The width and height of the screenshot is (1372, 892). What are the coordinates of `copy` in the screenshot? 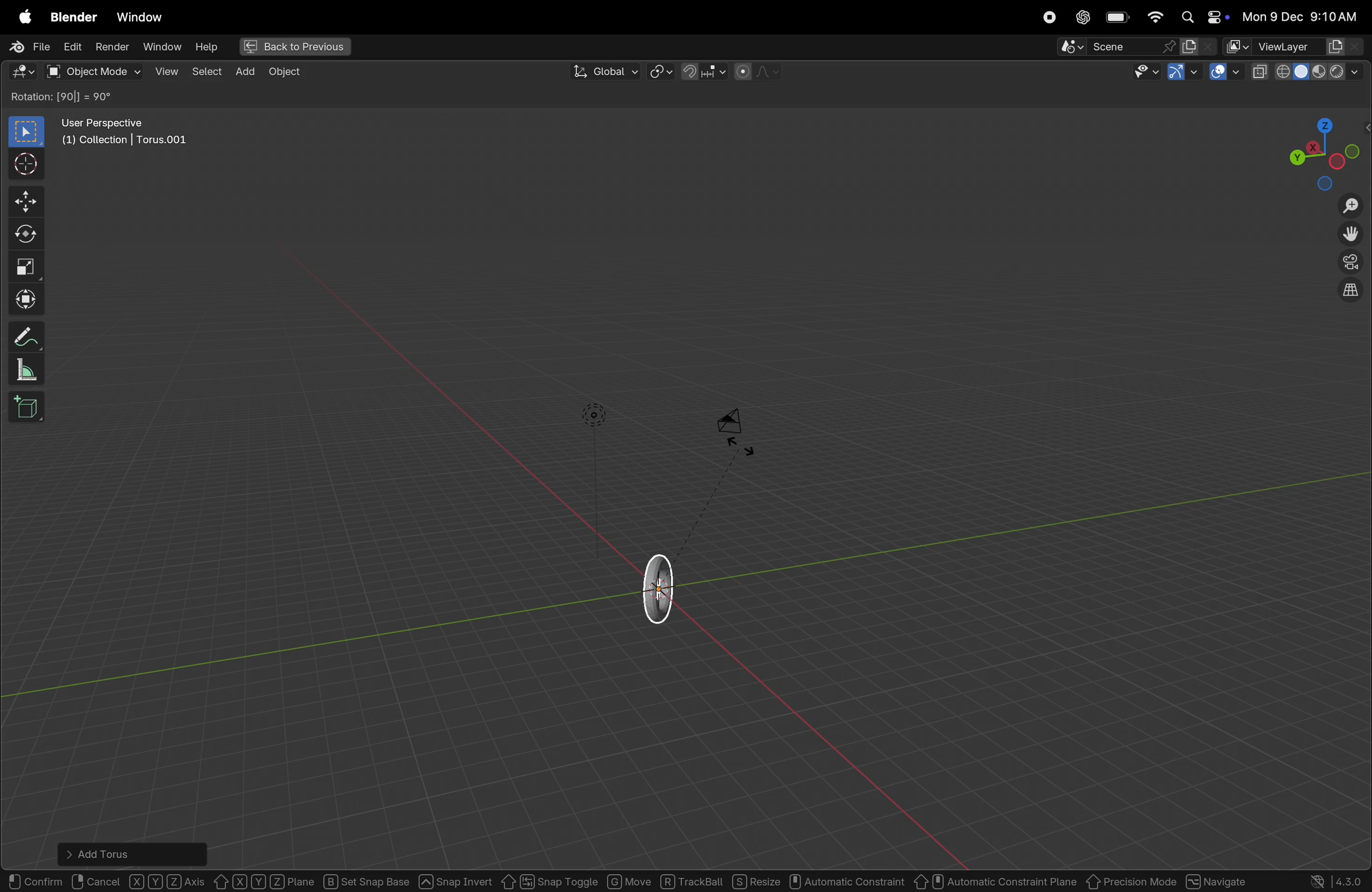 It's located at (1260, 72).